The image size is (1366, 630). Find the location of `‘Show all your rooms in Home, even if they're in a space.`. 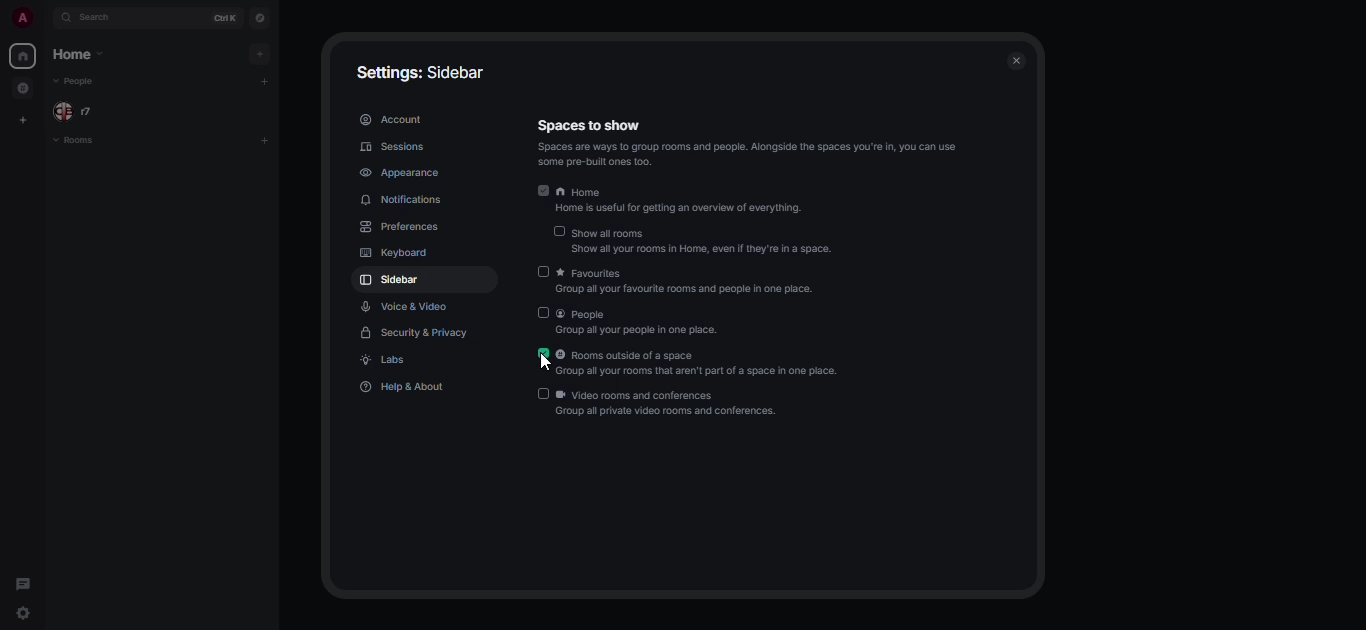

‘Show all your rooms in Home, even if they're in a space. is located at coordinates (713, 251).